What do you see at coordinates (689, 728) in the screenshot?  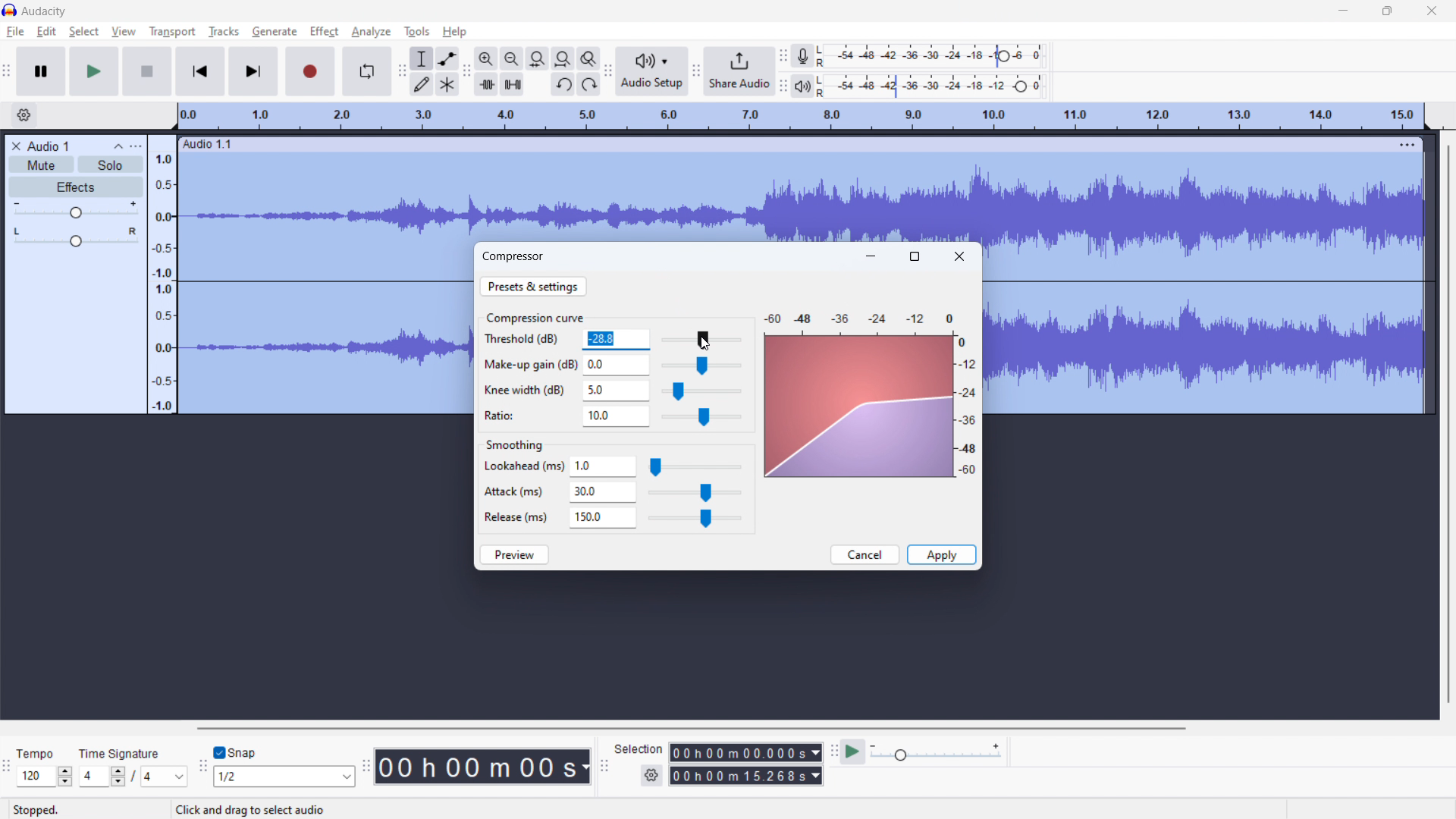 I see `horizontal scrollbar` at bounding box center [689, 728].